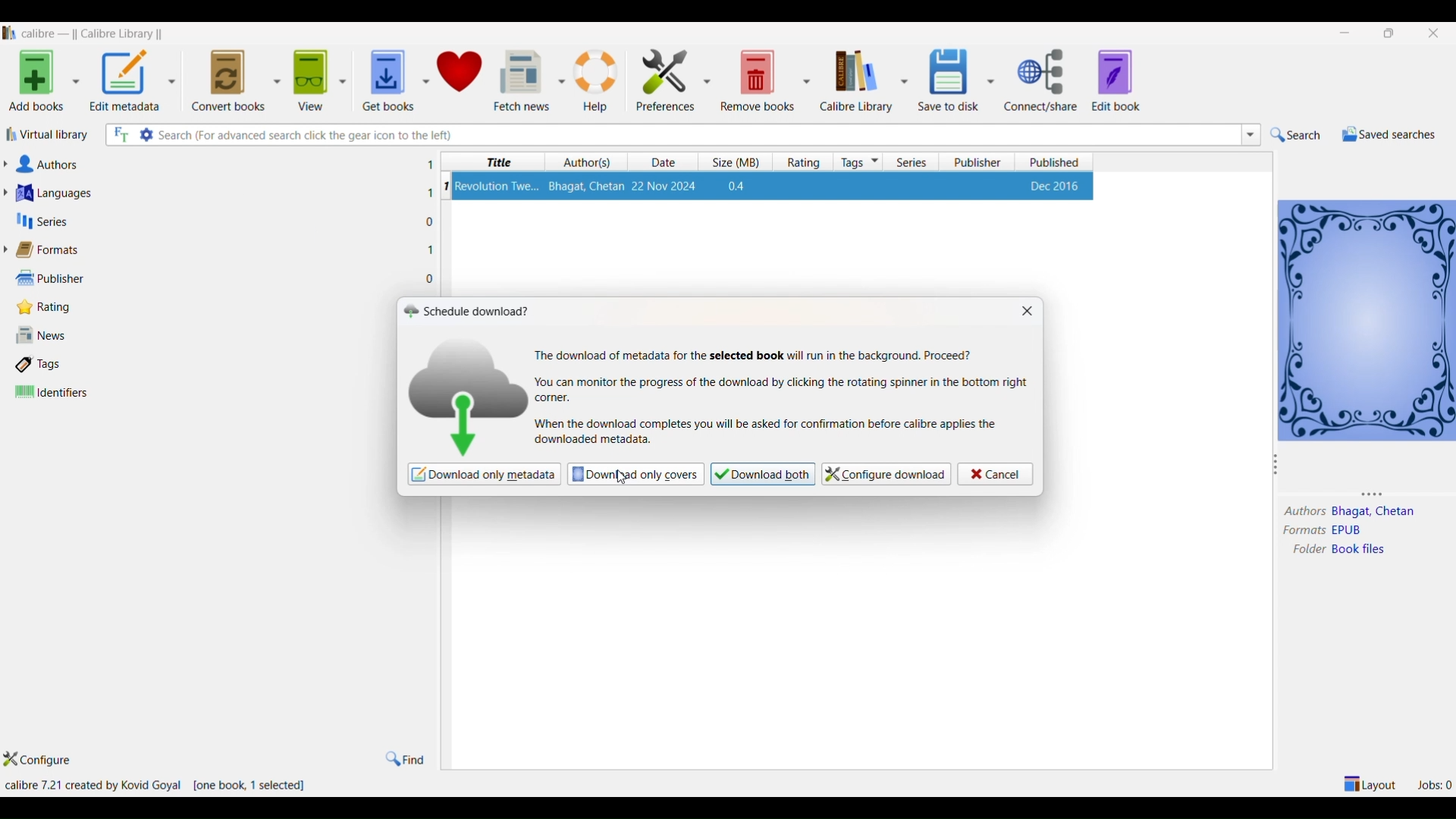  Describe the element at coordinates (125, 82) in the screenshot. I see `edit metadata` at that location.